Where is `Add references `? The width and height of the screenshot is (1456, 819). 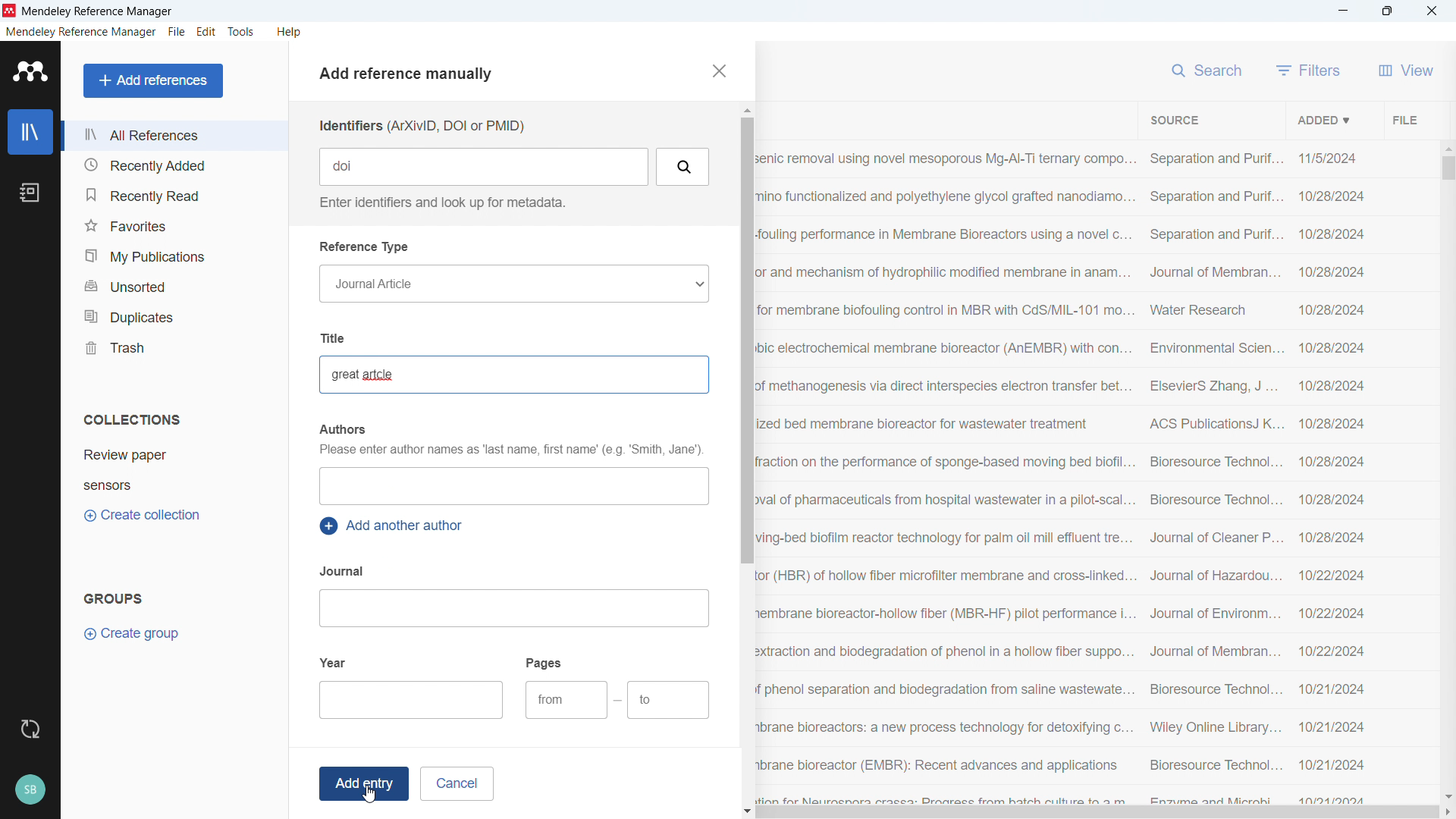 Add references  is located at coordinates (154, 80).